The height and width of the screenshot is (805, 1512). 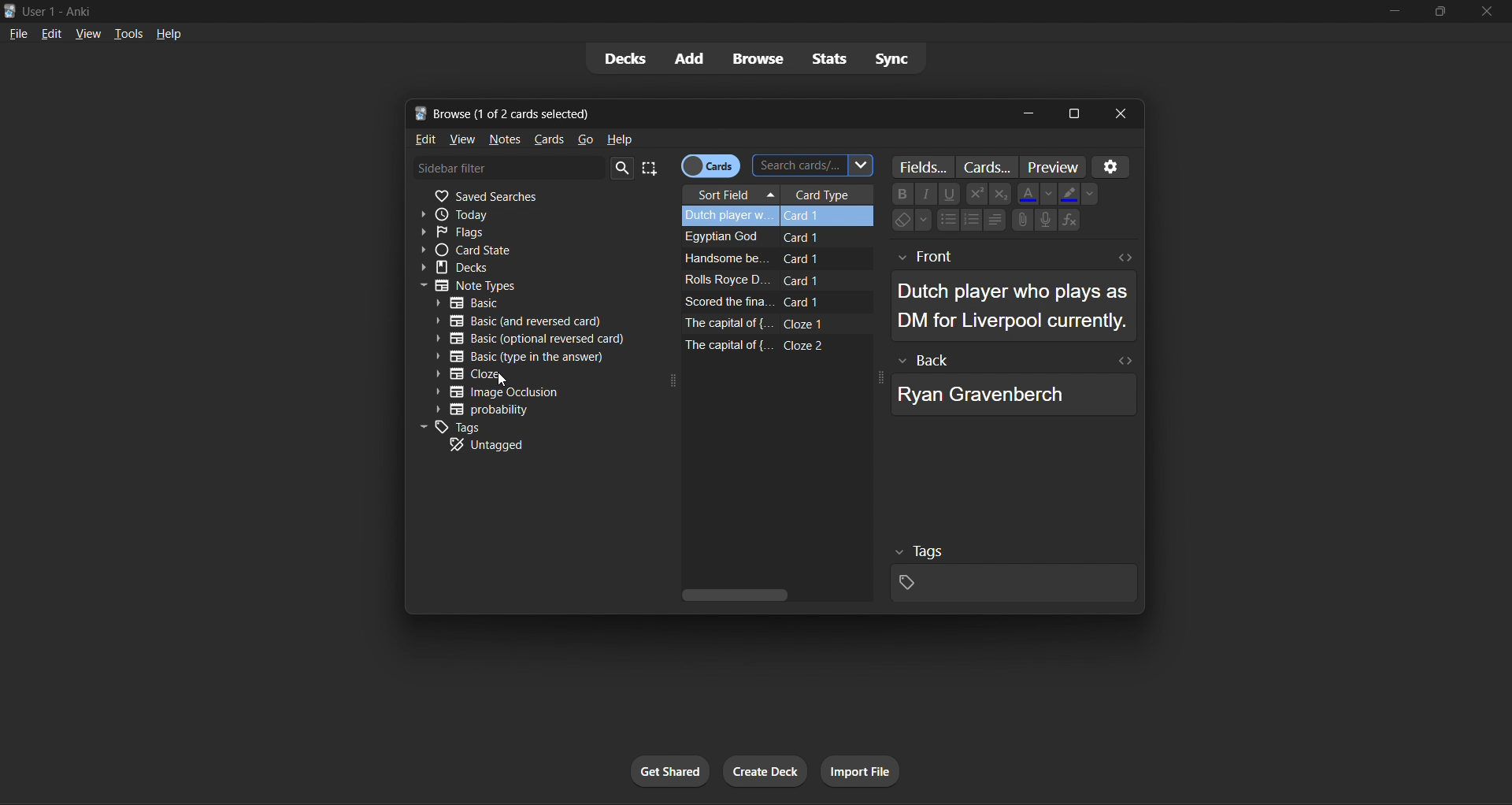 What do you see at coordinates (1440, 13) in the screenshot?
I see `maximize` at bounding box center [1440, 13].